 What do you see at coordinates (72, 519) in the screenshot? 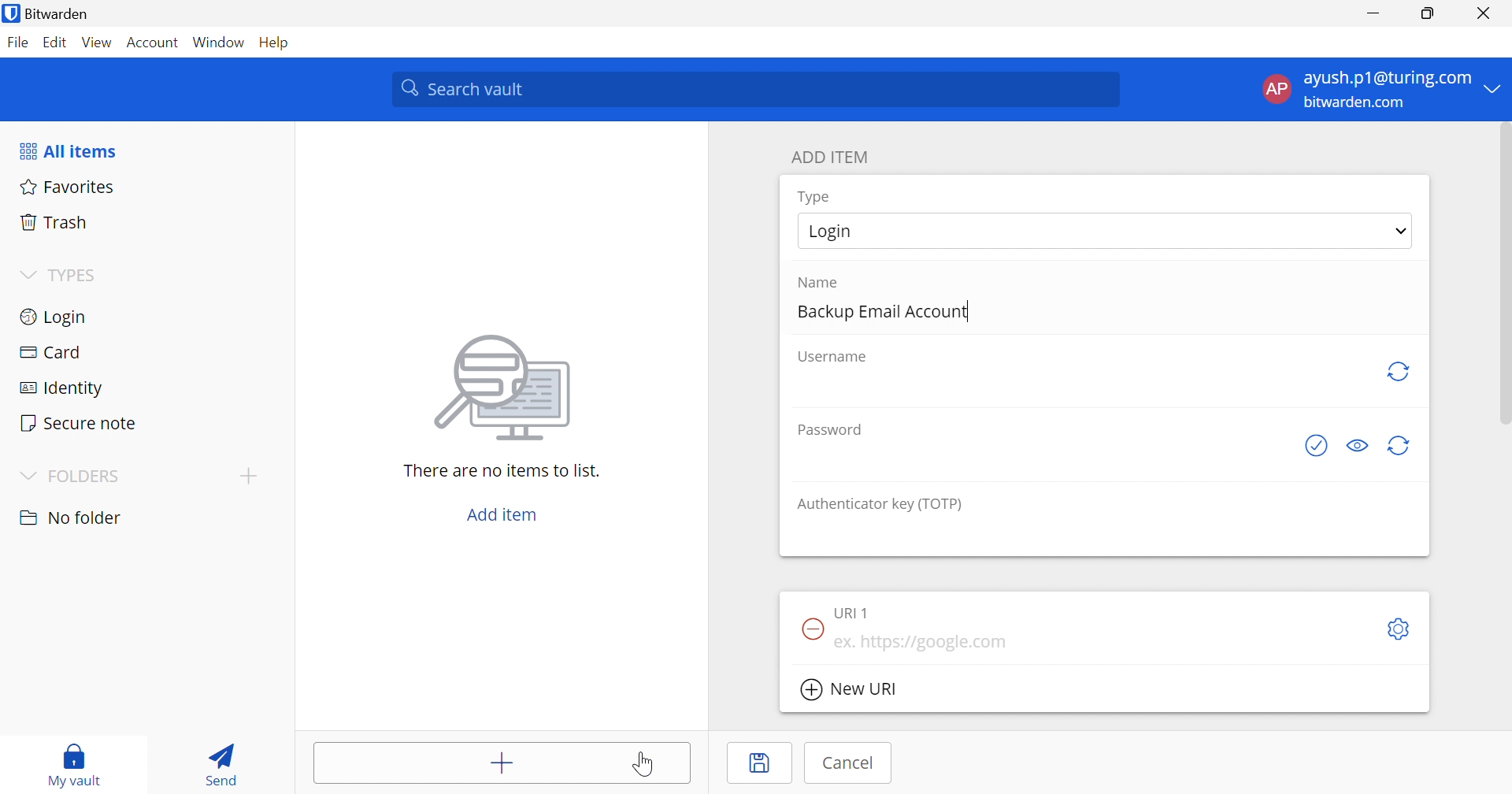
I see `No folder` at bounding box center [72, 519].